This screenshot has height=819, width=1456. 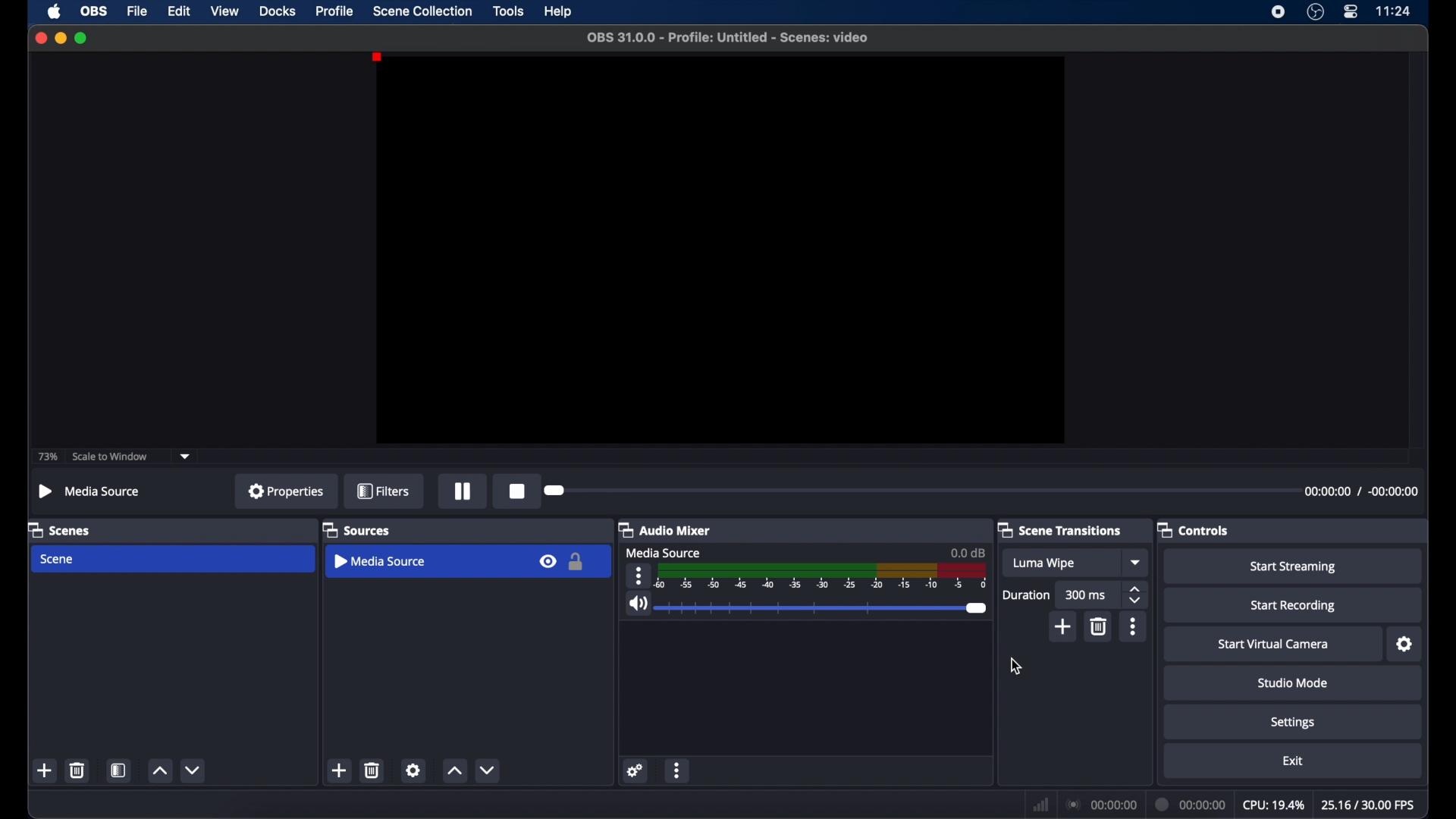 What do you see at coordinates (1393, 11) in the screenshot?
I see `time` at bounding box center [1393, 11].